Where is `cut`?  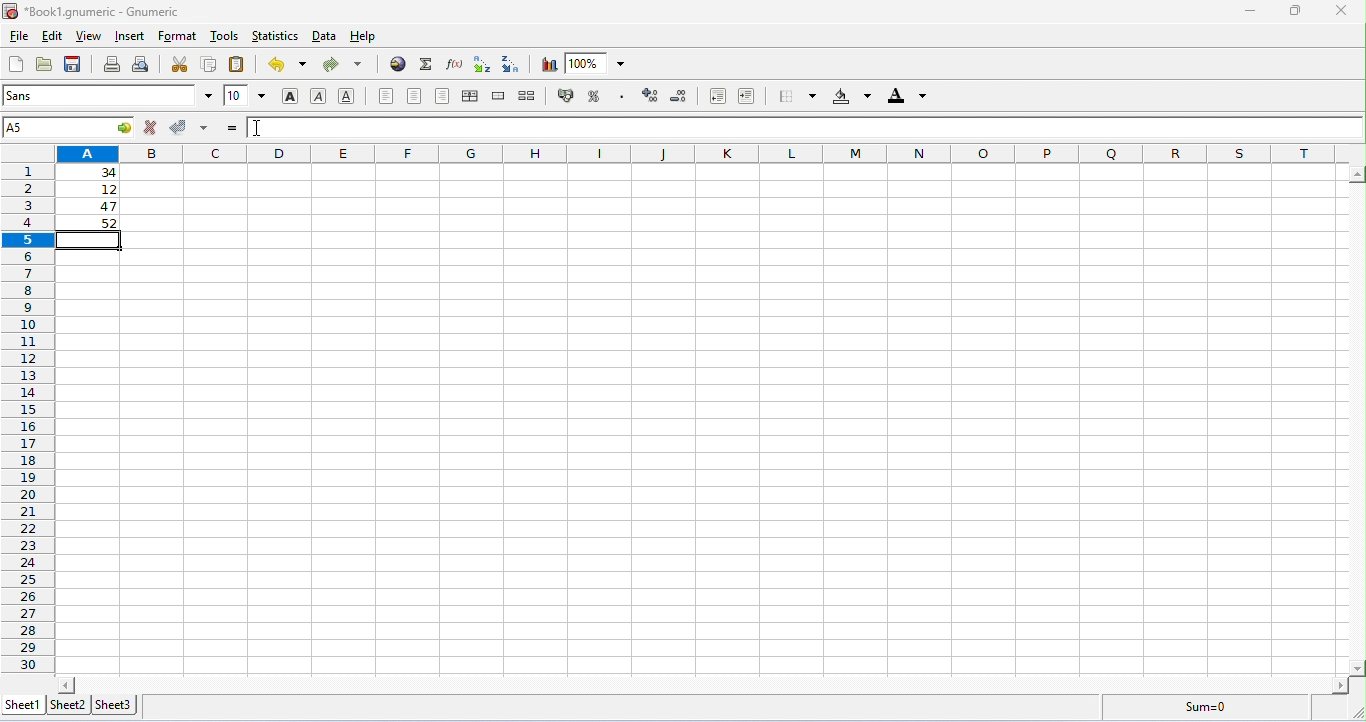
cut is located at coordinates (180, 64).